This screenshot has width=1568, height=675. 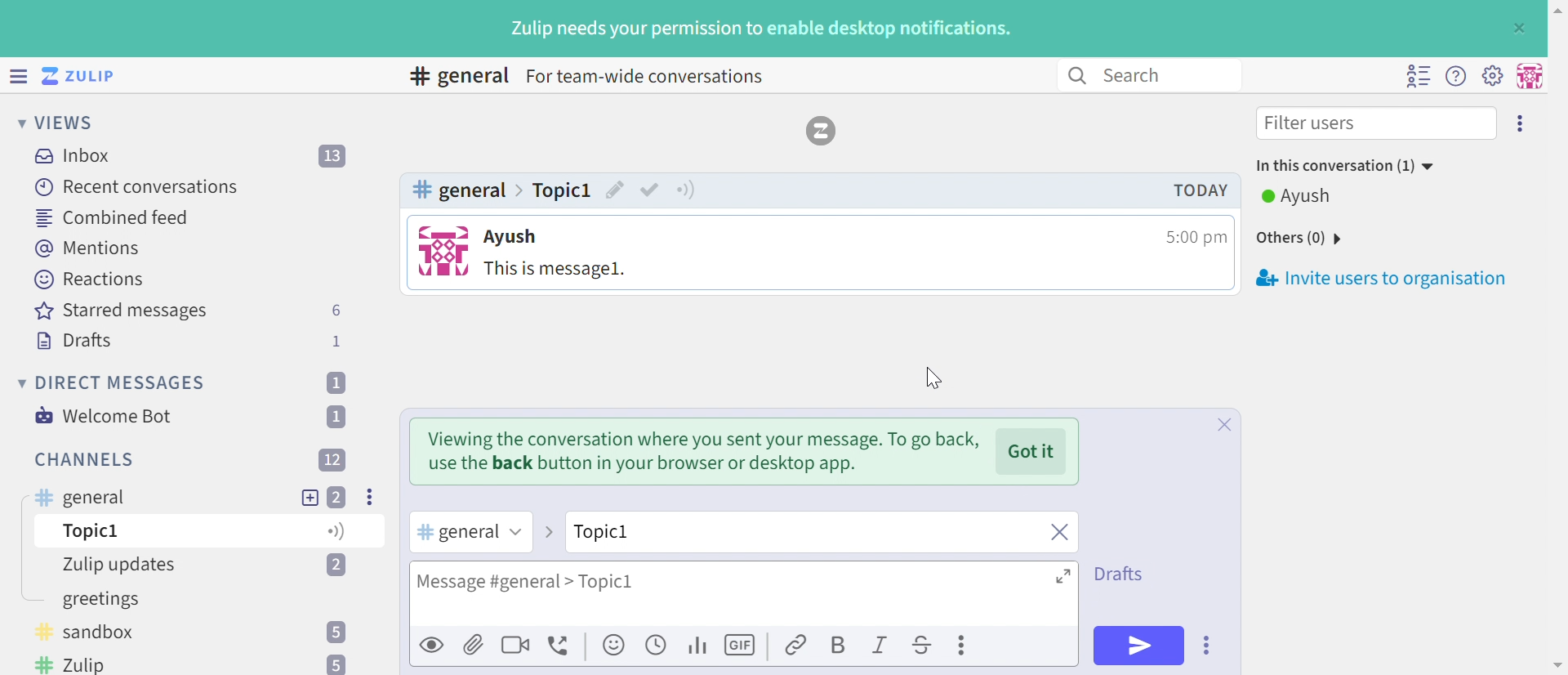 I want to click on Upload files, so click(x=474, y=644).